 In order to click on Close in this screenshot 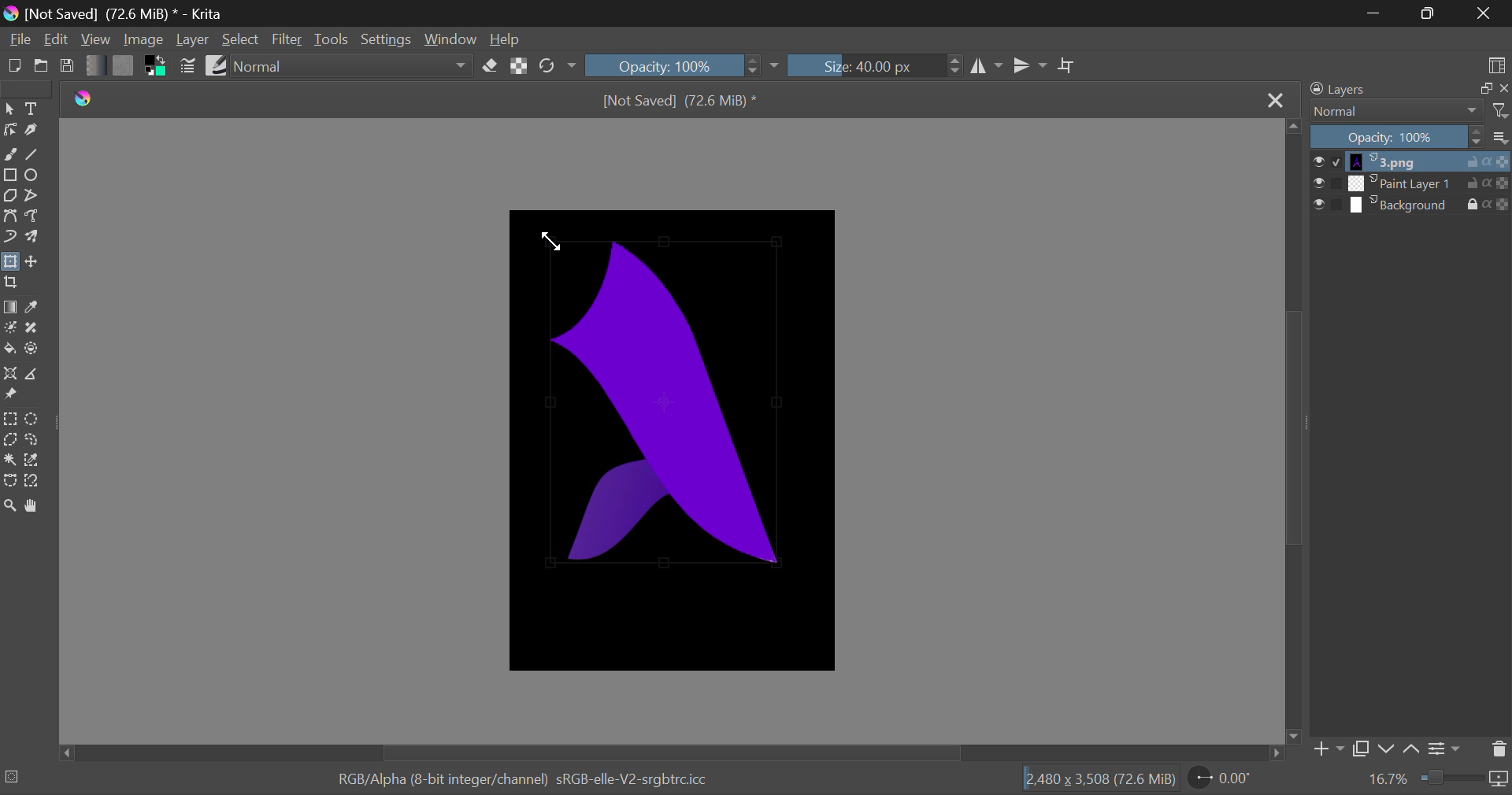, I will do `click(1273, 104)`.